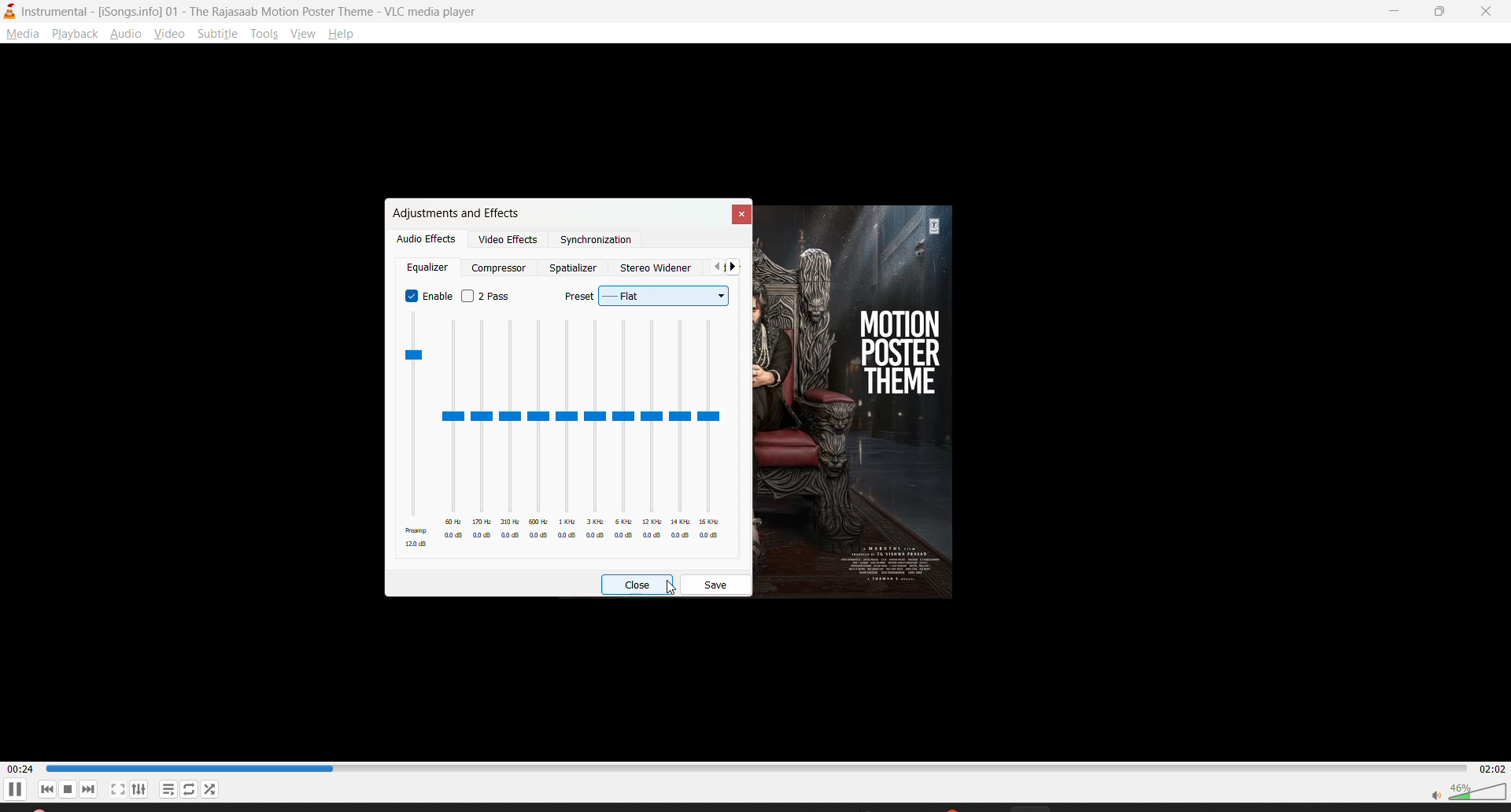  I want to click on video effects, so click(511, 242).